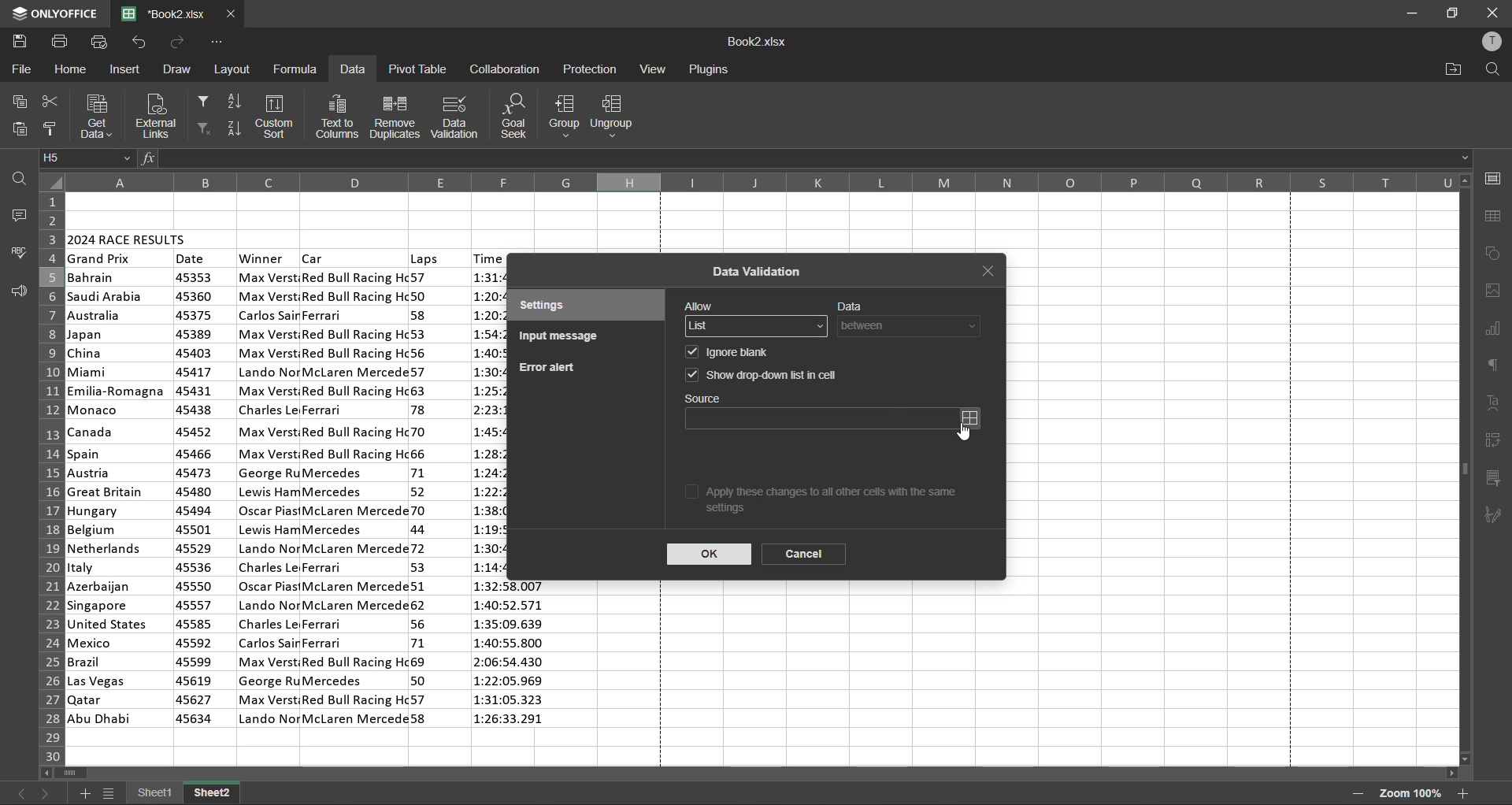 This screenshot has height=805, width=1512. What do you see at coordinates (1495, 403) in the screenshot?
I see `text` at bounding box center [1495, 403].